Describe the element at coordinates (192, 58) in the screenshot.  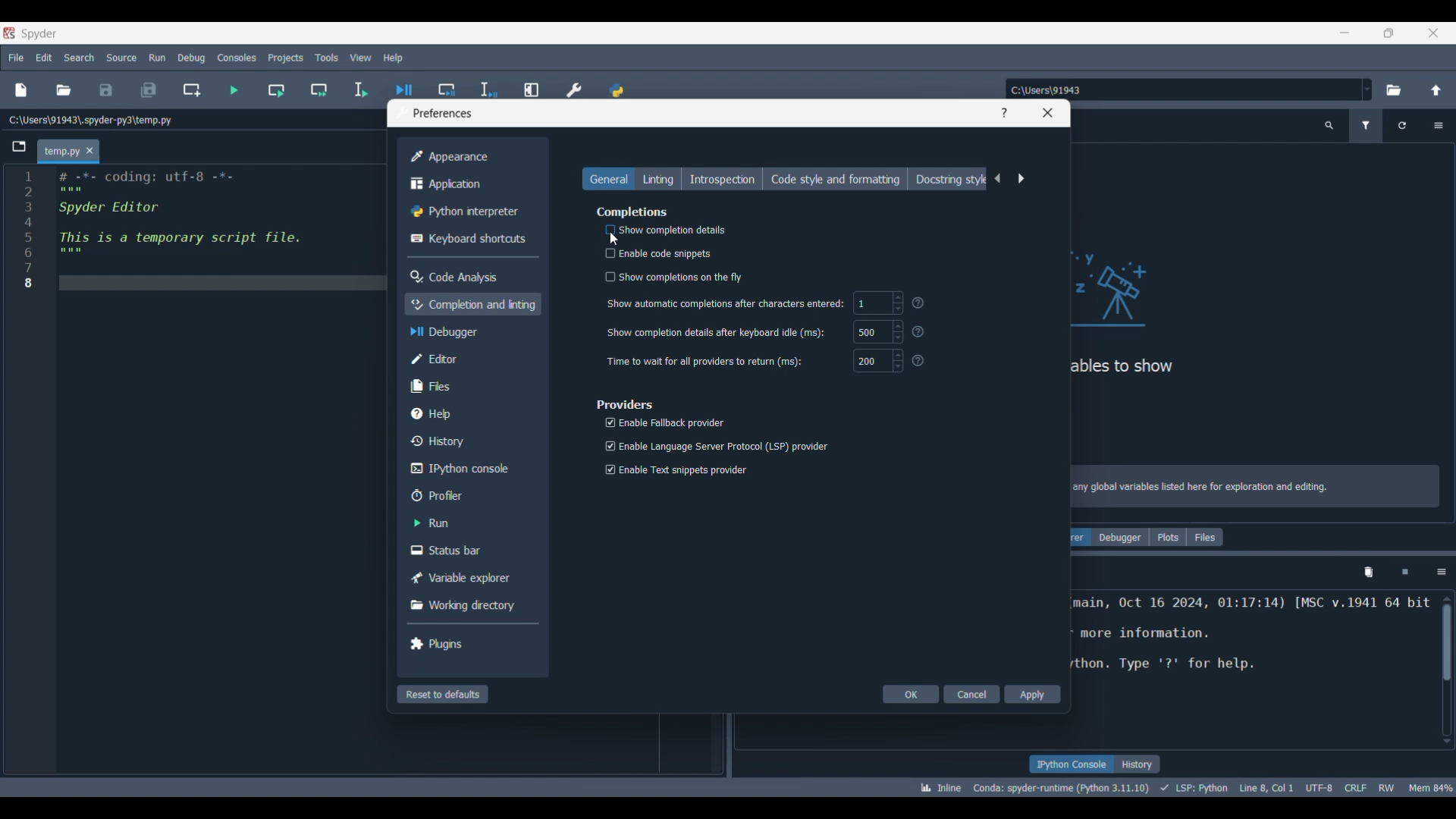
I see `Debug menu` at that location.